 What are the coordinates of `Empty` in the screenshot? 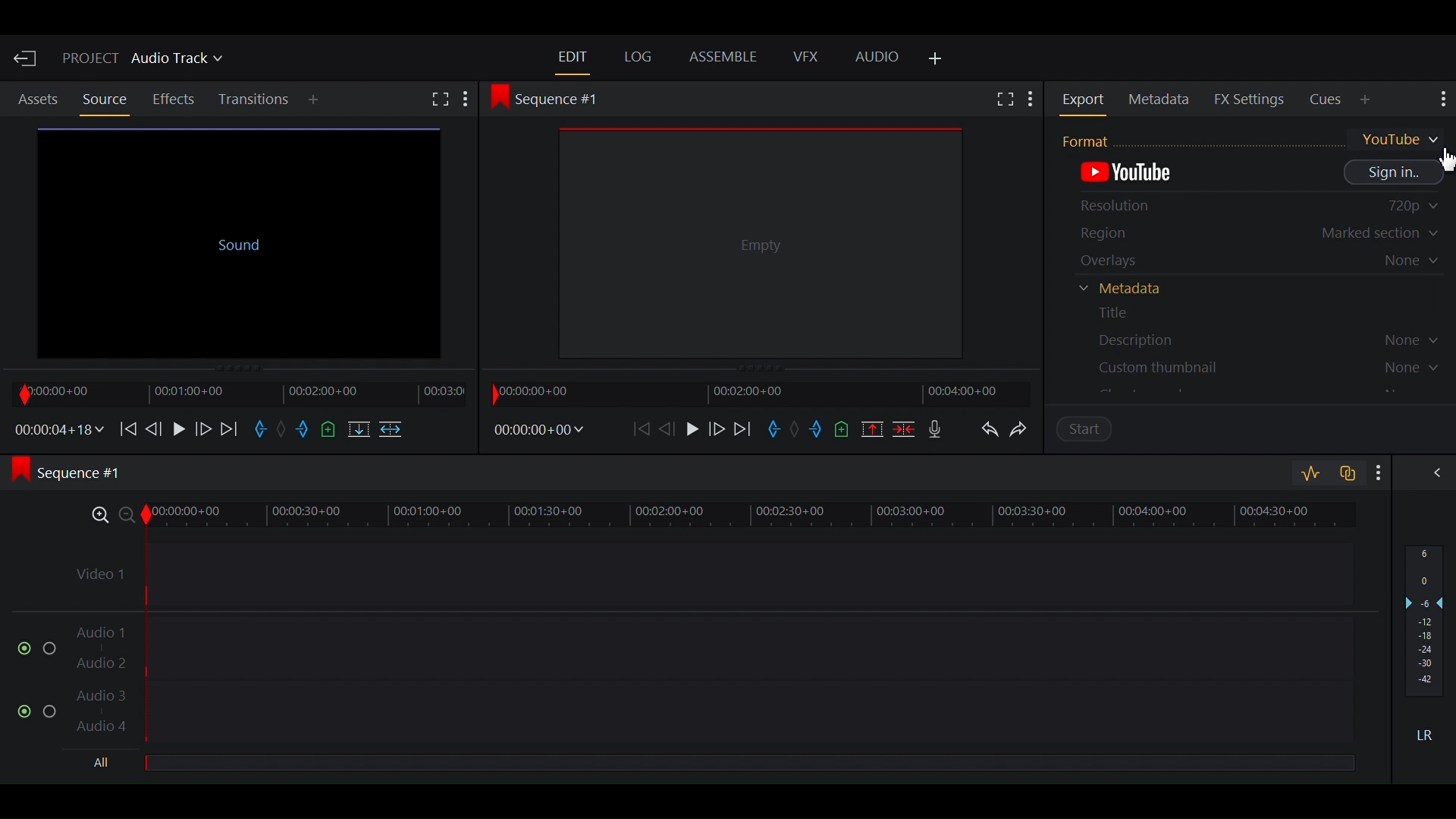 It's located at (762, 243).